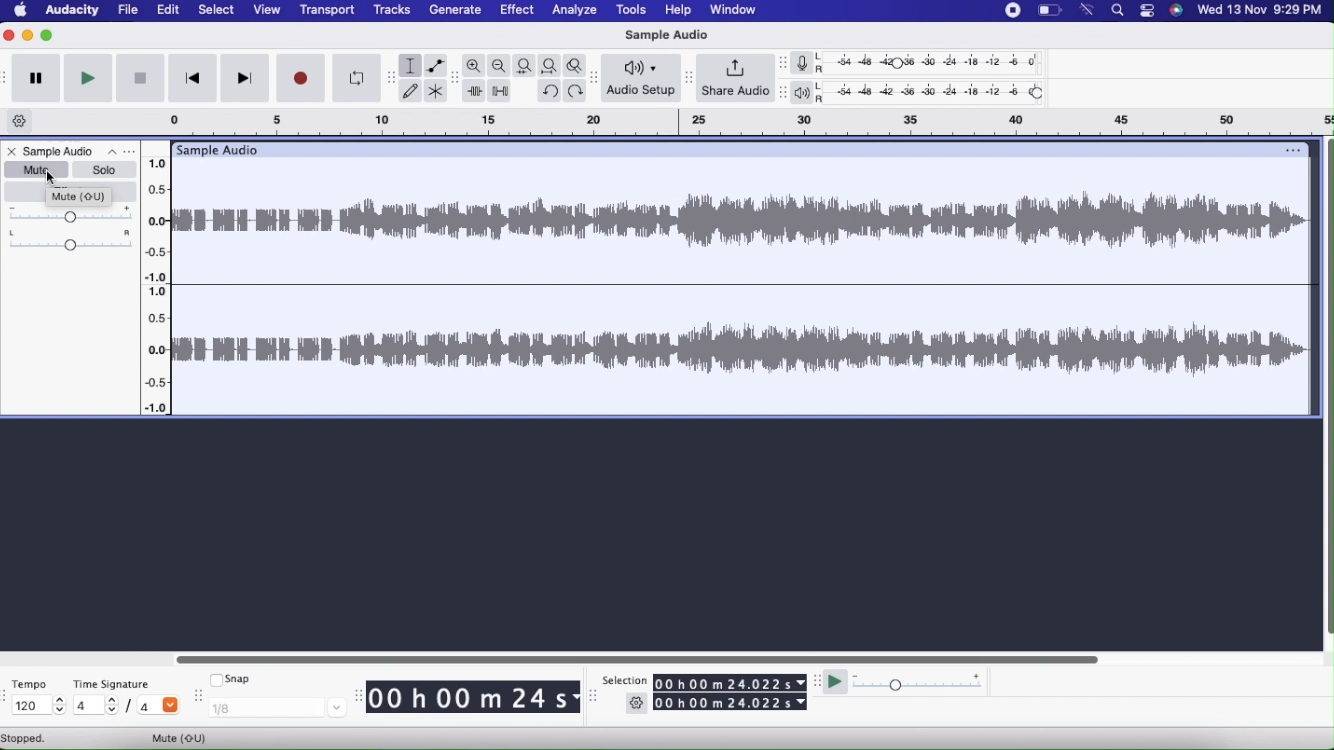 The image size is (1334, 750). I want to click on Home, so click(22, 11).